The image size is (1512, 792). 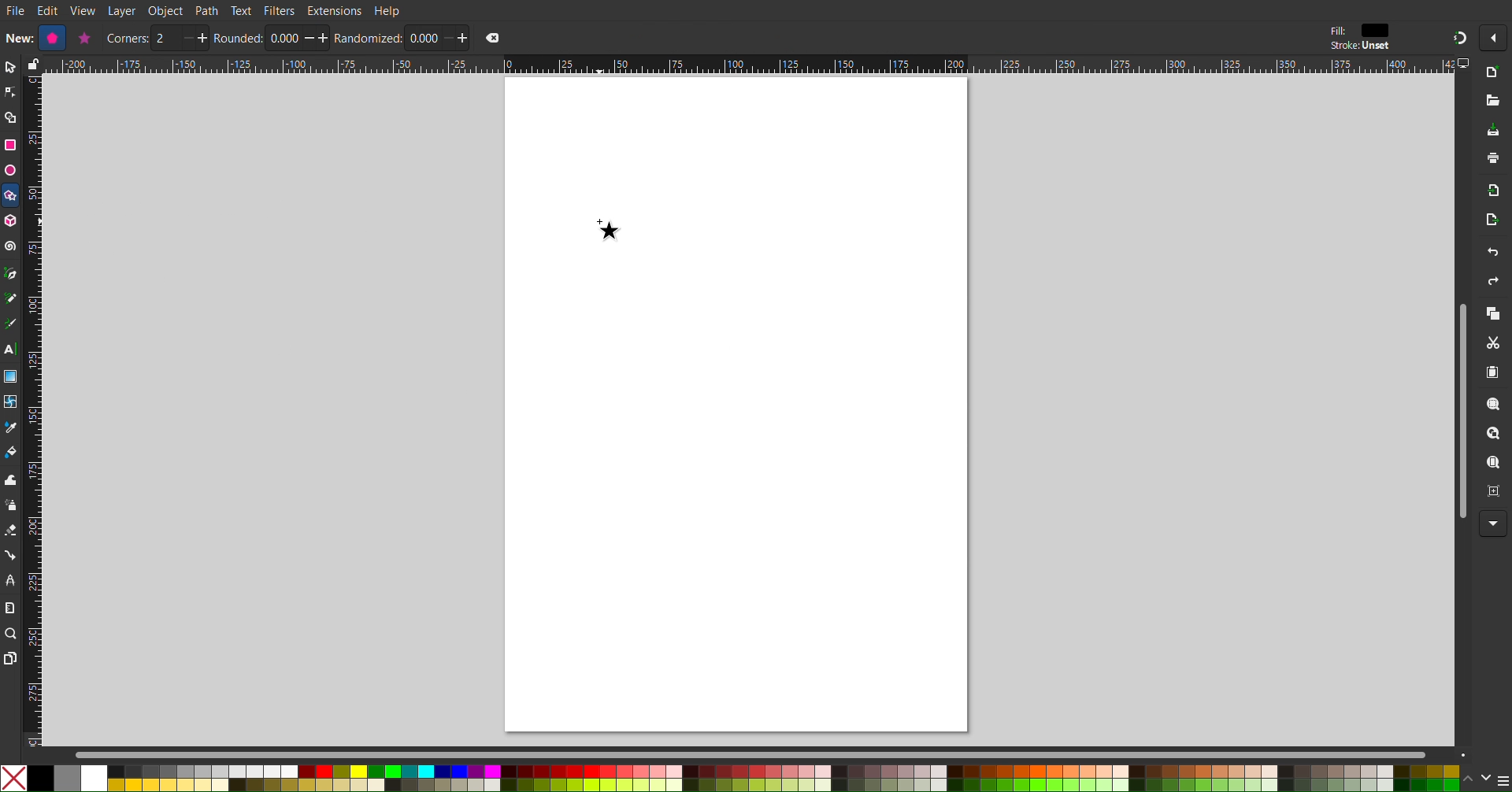 I want to click on Filters, so click(x=280, y=10).